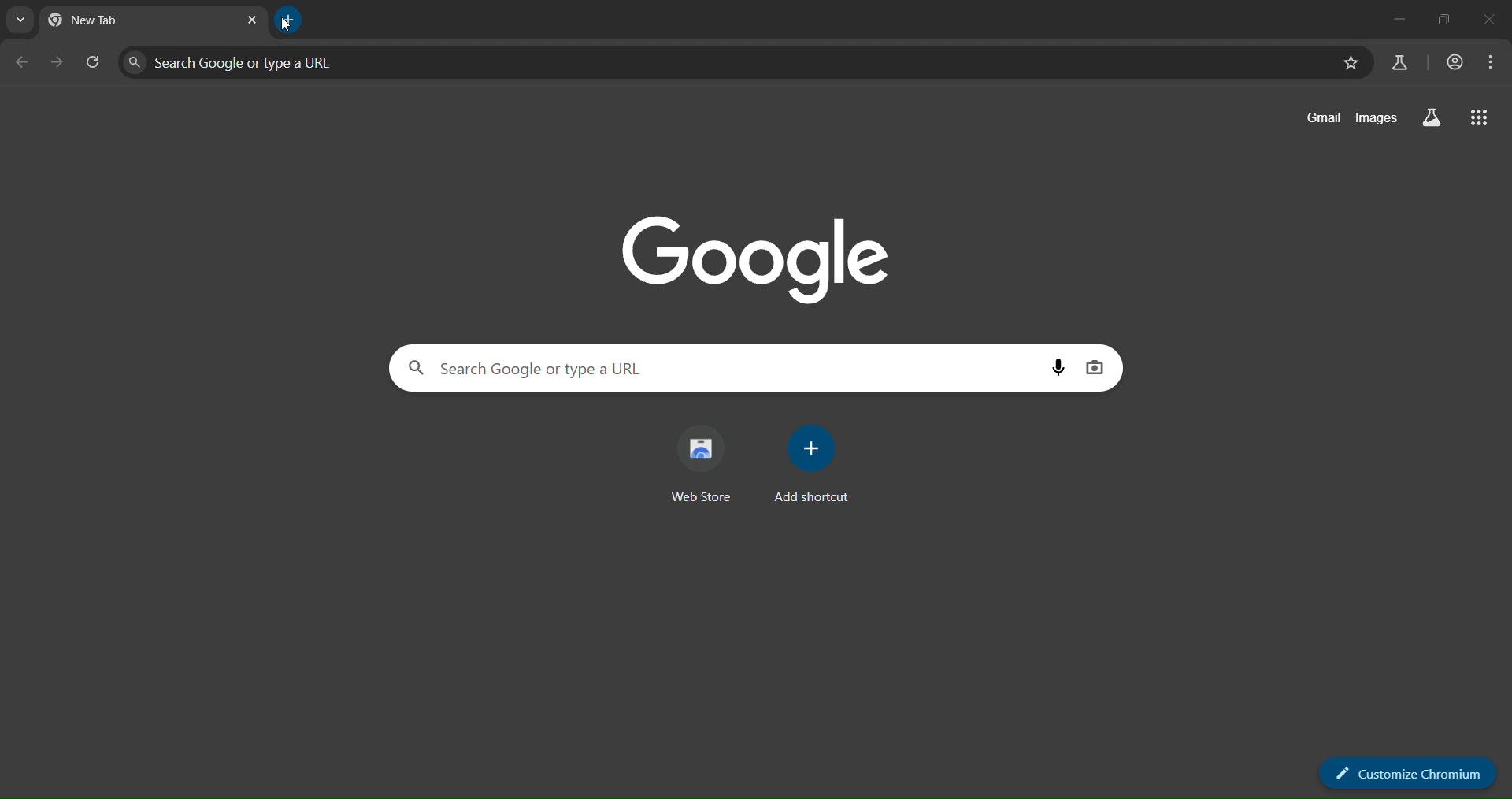 The image size is (1512, 799). I want to click on close, so click(1487, 20).